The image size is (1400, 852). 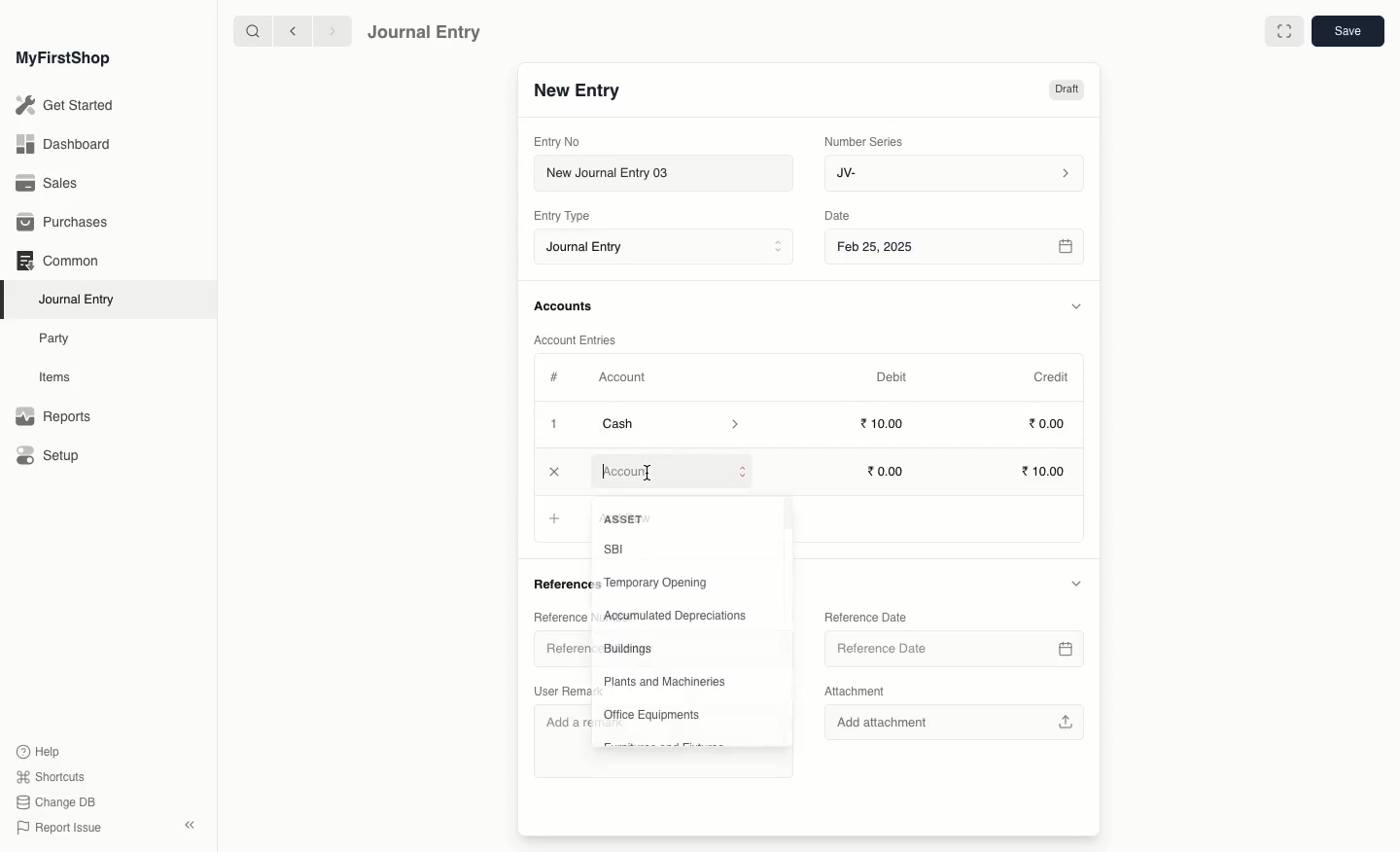 What do you see at coordinates (582, 340) in the screenshot?
I see `Account Entries` at bounding box center [582, 340].